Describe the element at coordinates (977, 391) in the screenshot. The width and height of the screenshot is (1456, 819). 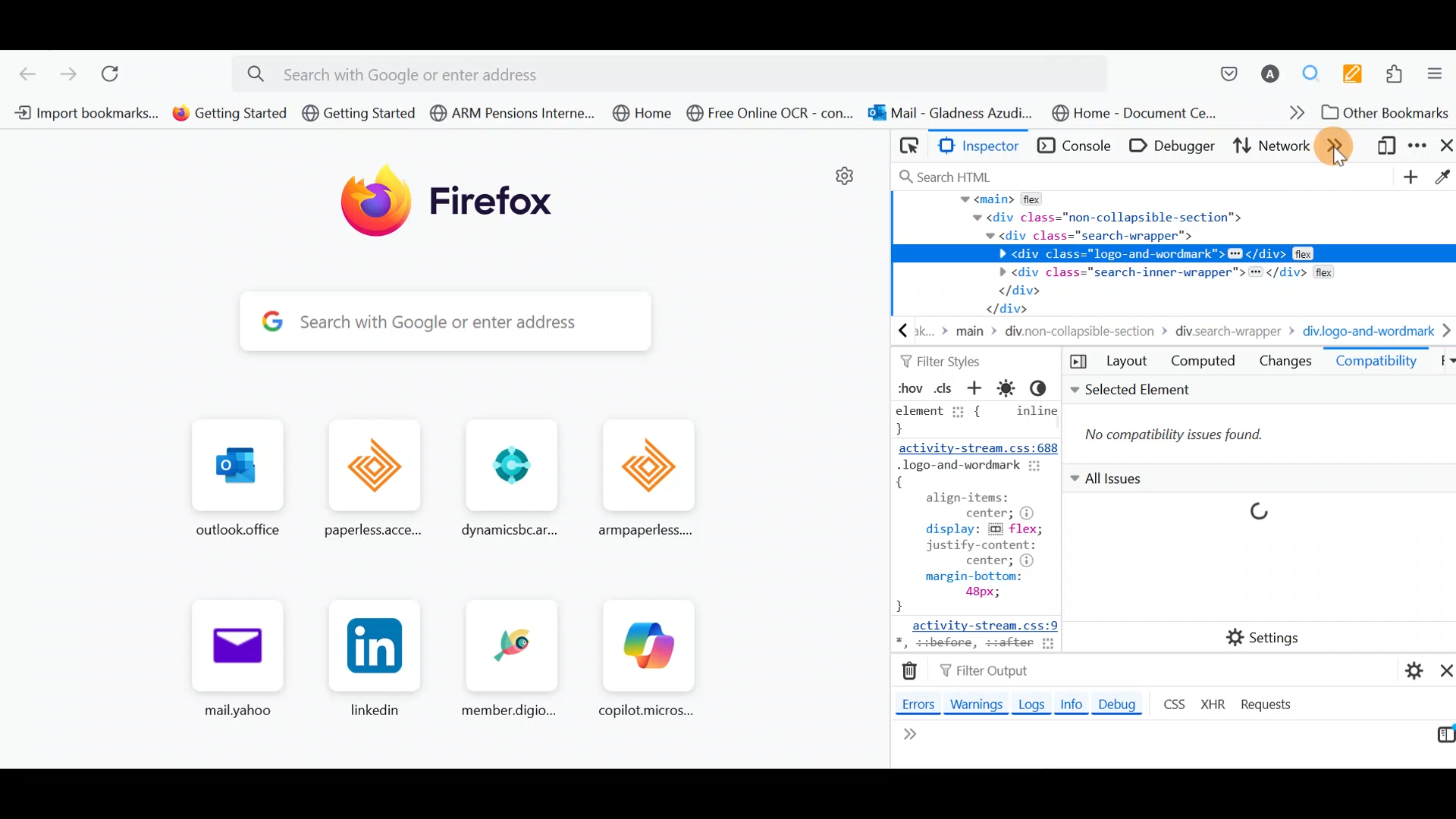
I see `Add new rule` at that location.